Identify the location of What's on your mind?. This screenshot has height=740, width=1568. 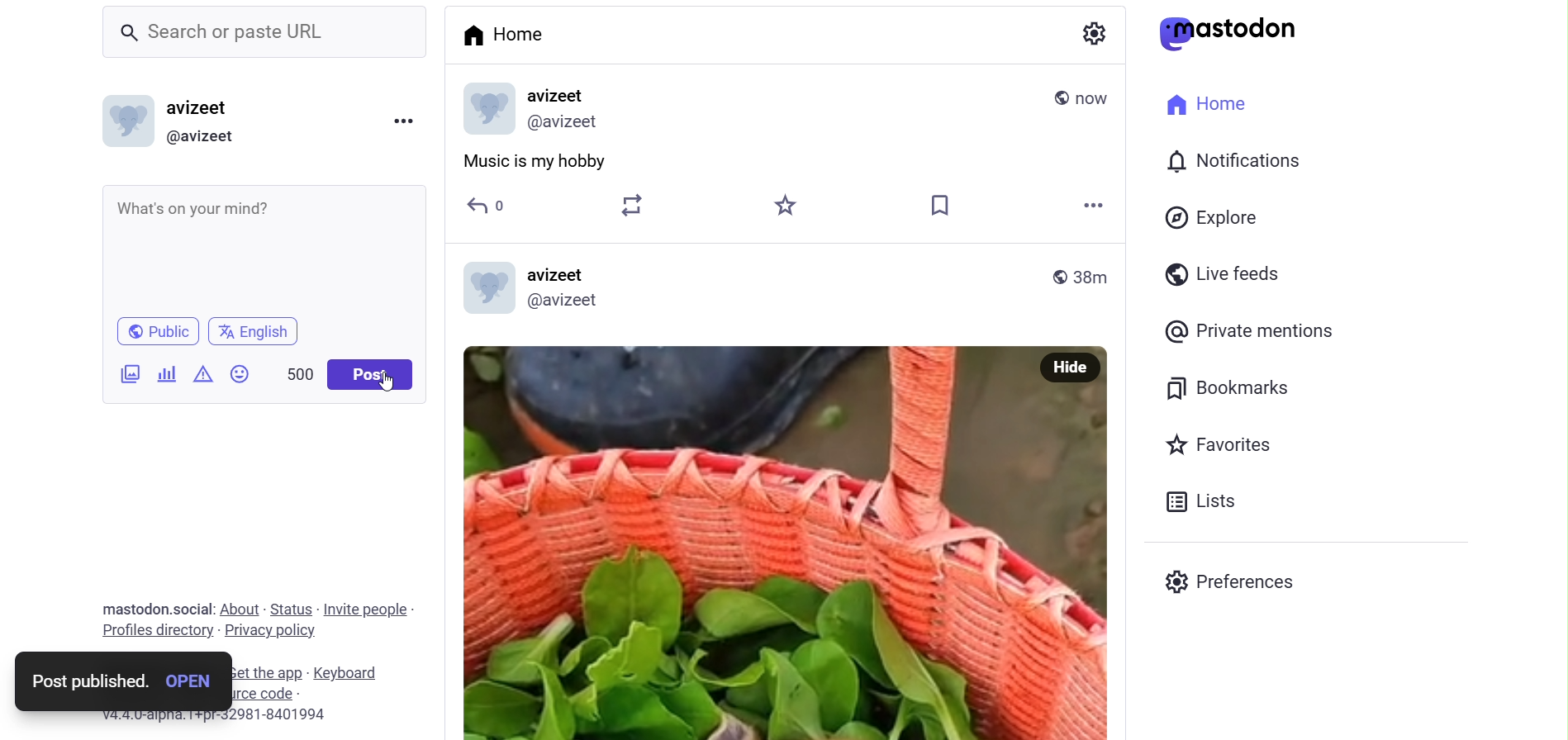
(260, 248).